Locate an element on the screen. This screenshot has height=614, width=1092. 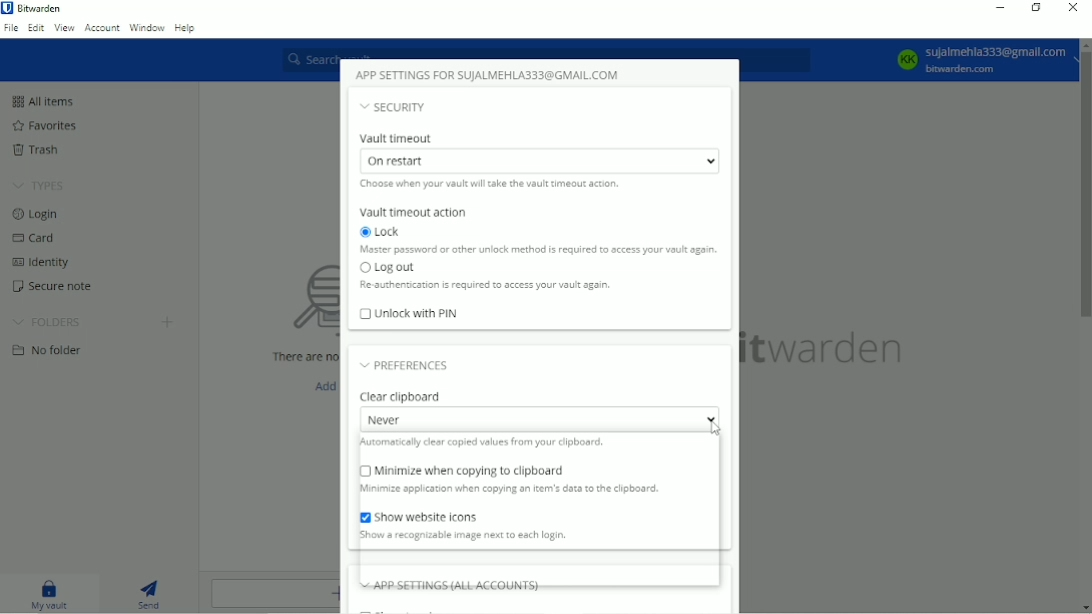
App settings for account is located at coordinates (492, 74).